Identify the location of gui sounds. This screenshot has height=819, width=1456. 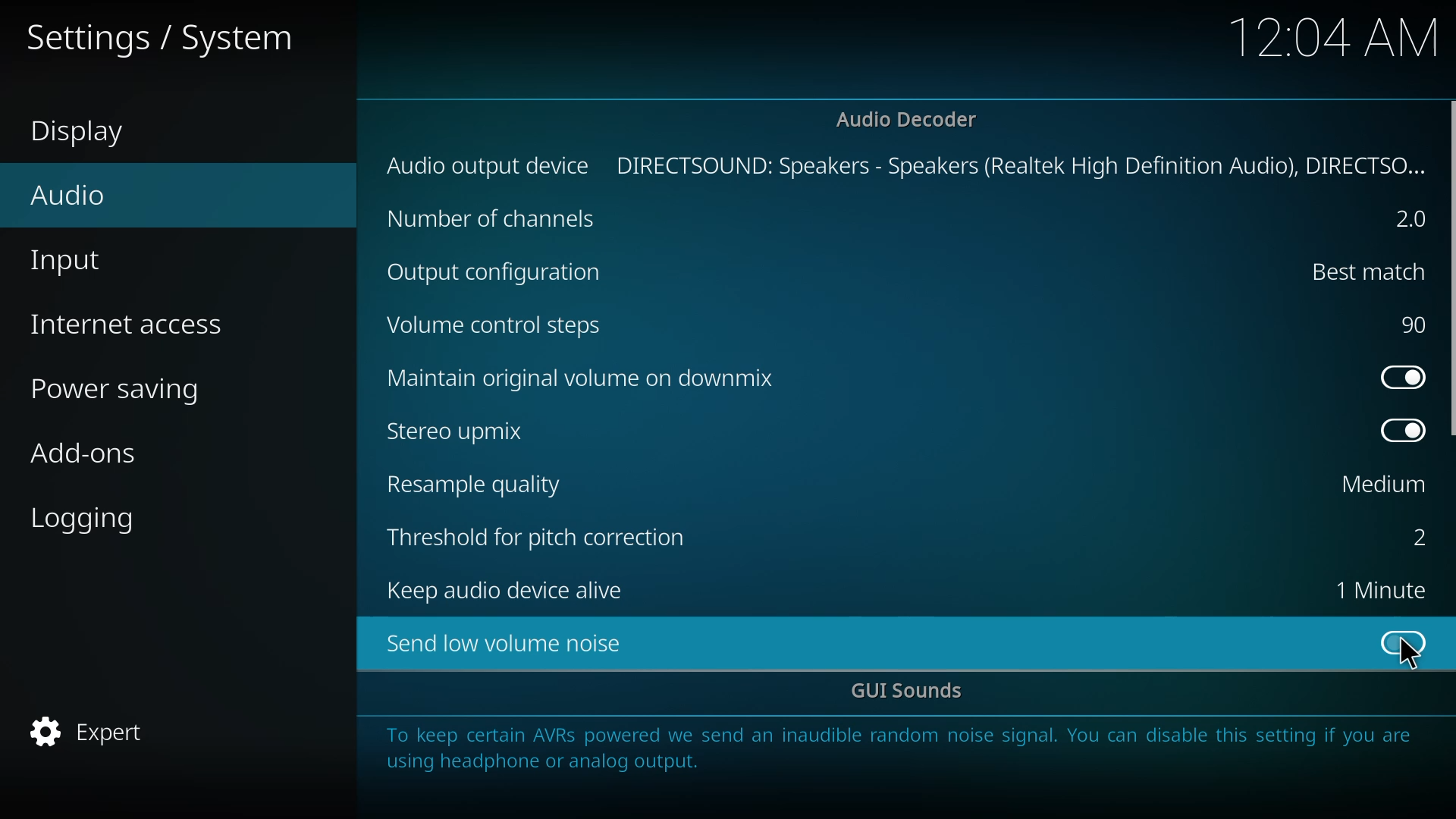
(911, 692).